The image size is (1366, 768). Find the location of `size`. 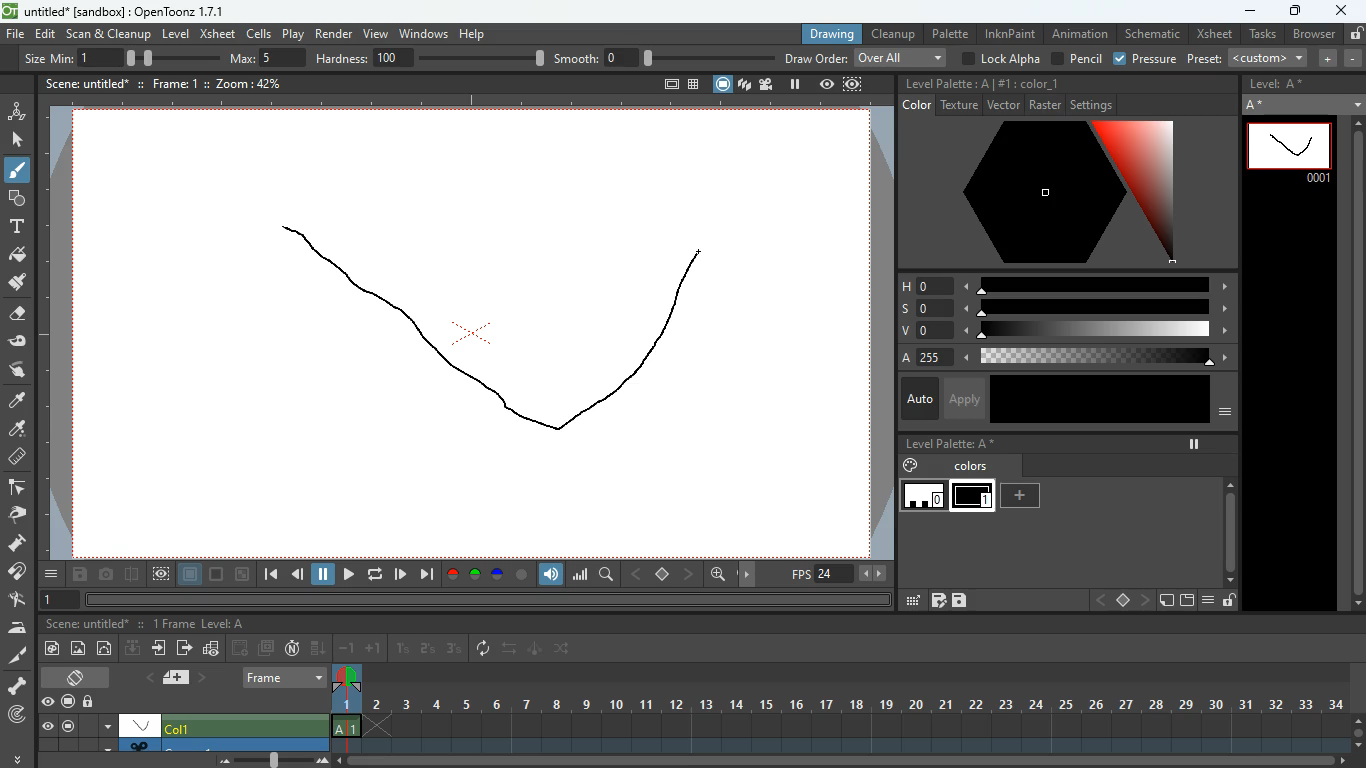

size is located at coordinates (166, 57).